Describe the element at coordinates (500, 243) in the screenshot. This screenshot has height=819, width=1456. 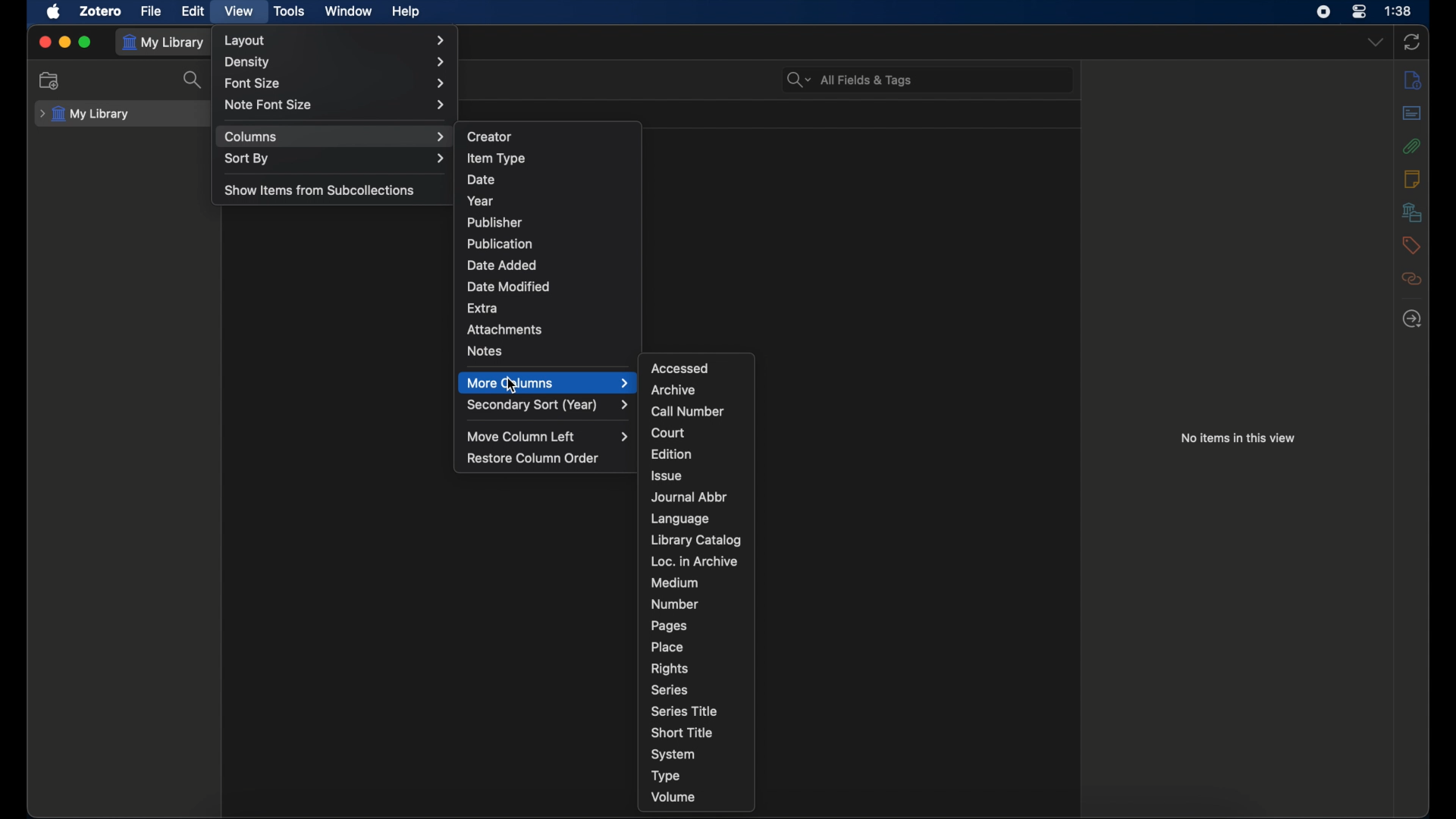
I see `publication` at that location.